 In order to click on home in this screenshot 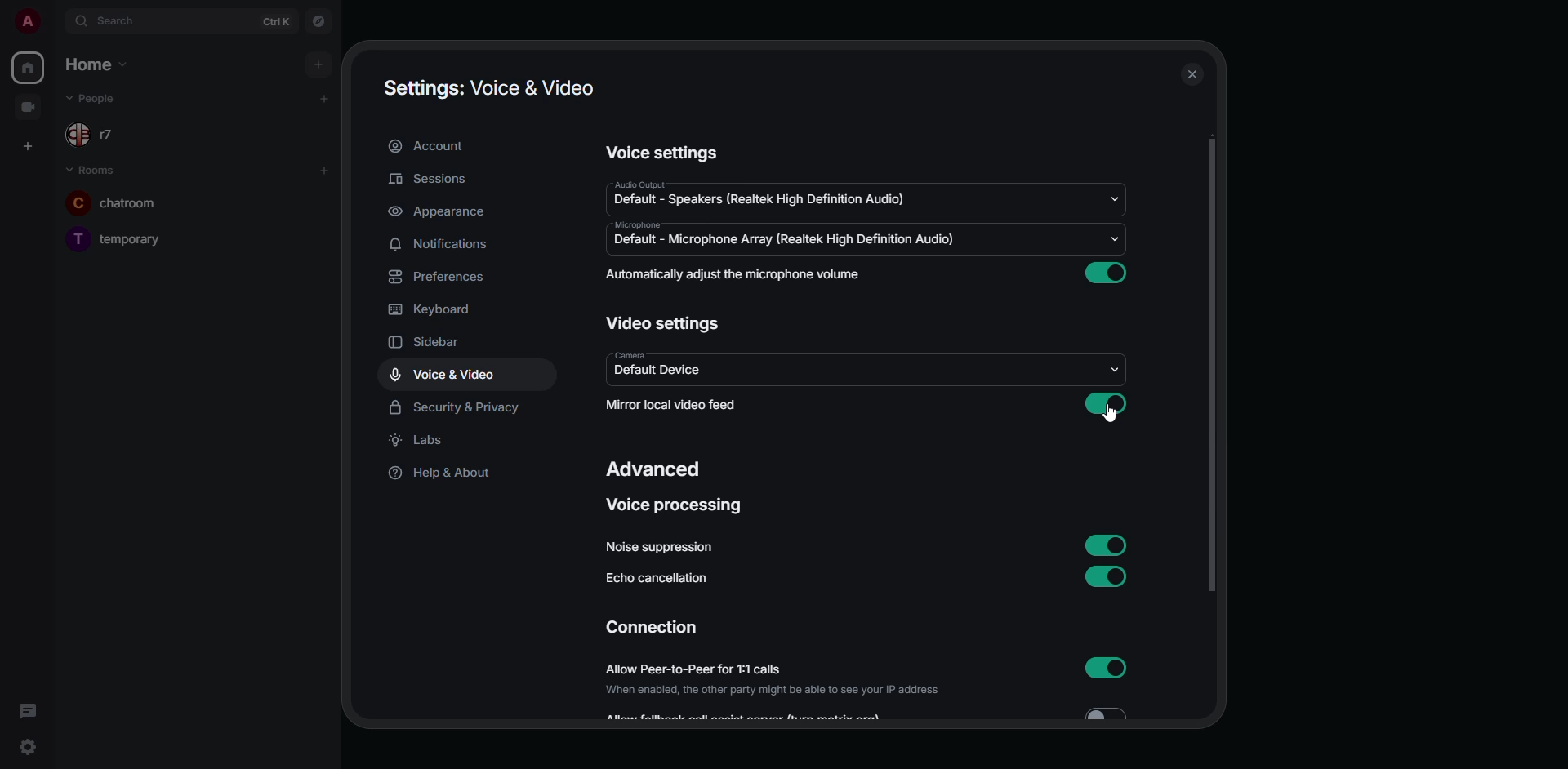, I will do `click(91, 64)`.